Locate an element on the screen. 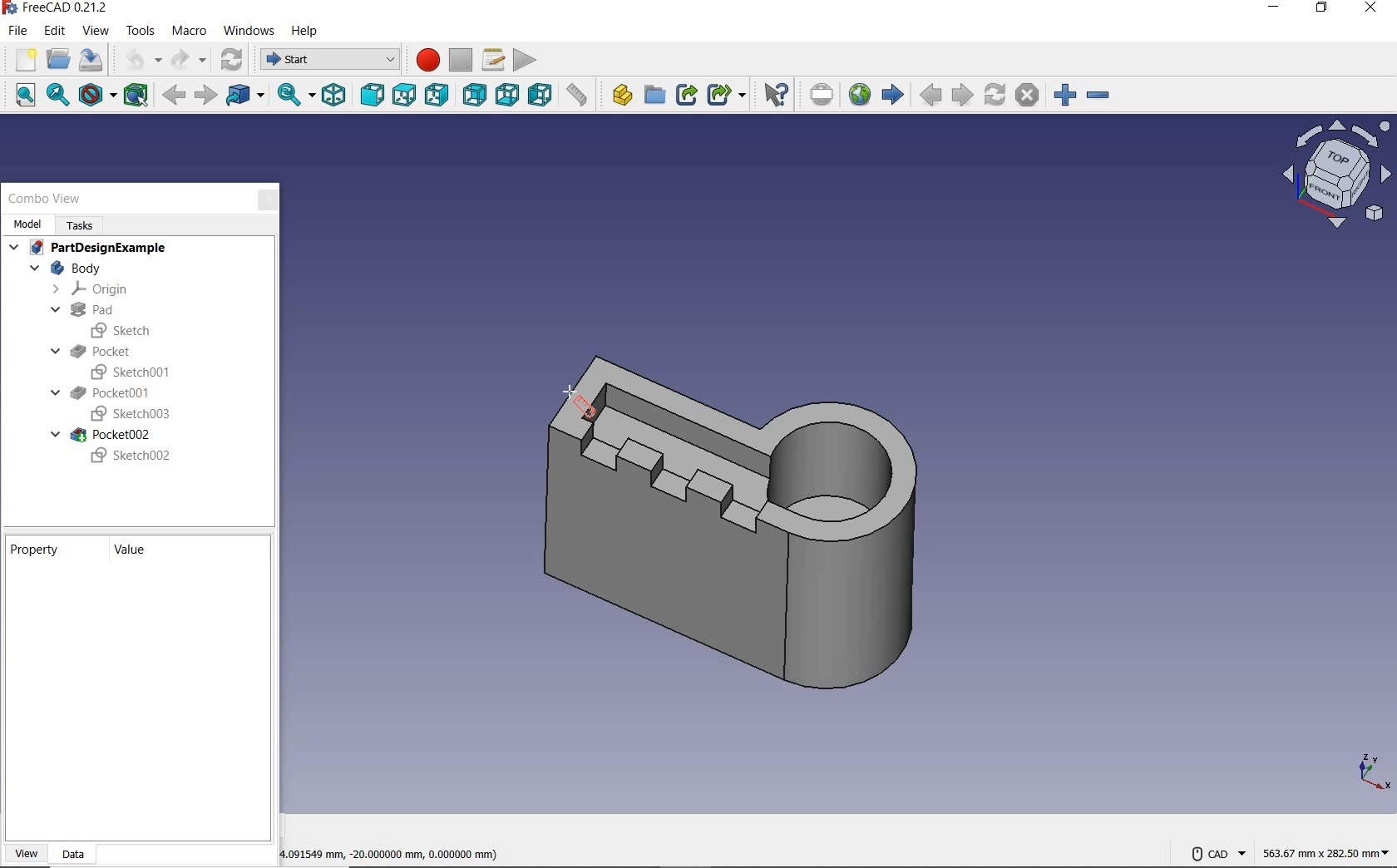 Image resolution: width=1397 pixels, height=868 pixels. What's this? is located at coordinates (775, 95).